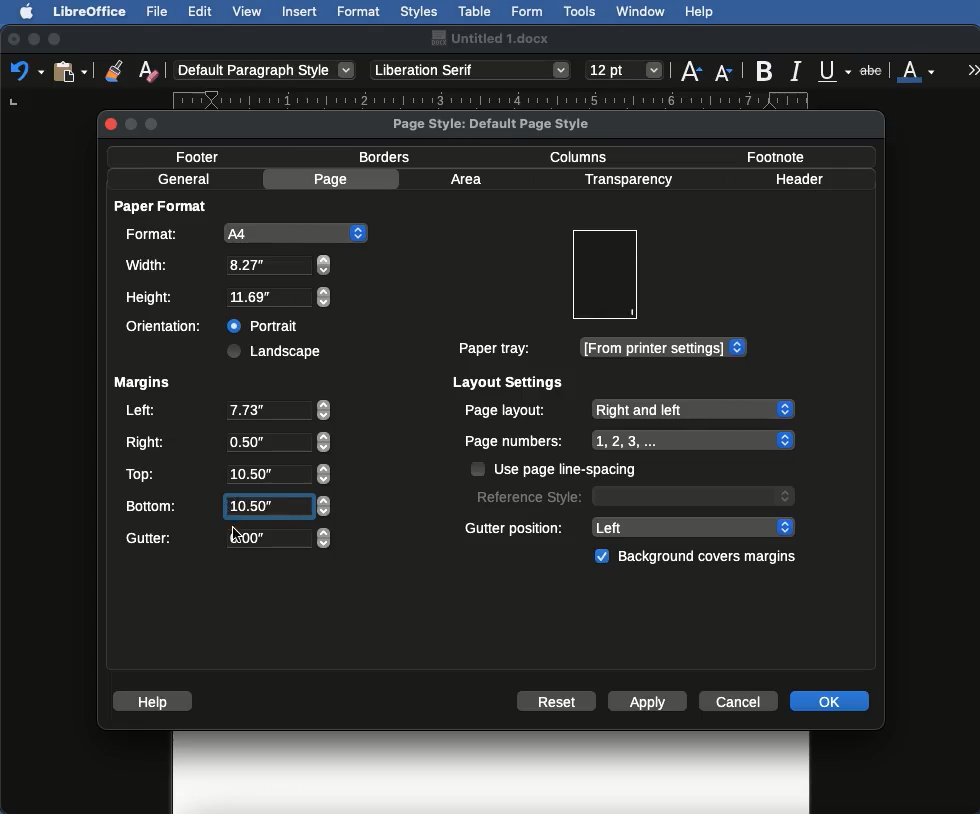  Describe the element at coordinates (70, 70) in the screenshot. I see `Clipboard` at that location.